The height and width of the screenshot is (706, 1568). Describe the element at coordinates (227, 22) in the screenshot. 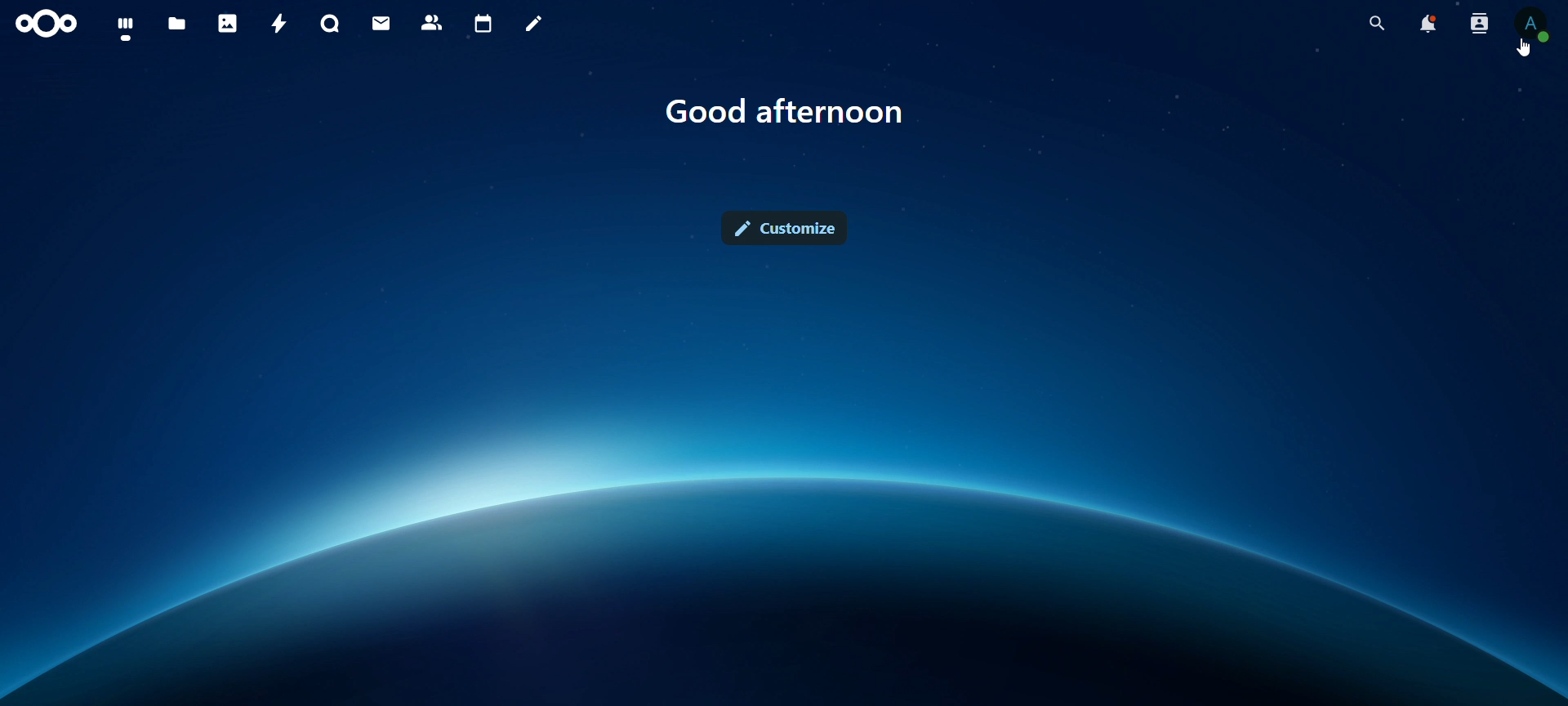

I see `photos` at that location.